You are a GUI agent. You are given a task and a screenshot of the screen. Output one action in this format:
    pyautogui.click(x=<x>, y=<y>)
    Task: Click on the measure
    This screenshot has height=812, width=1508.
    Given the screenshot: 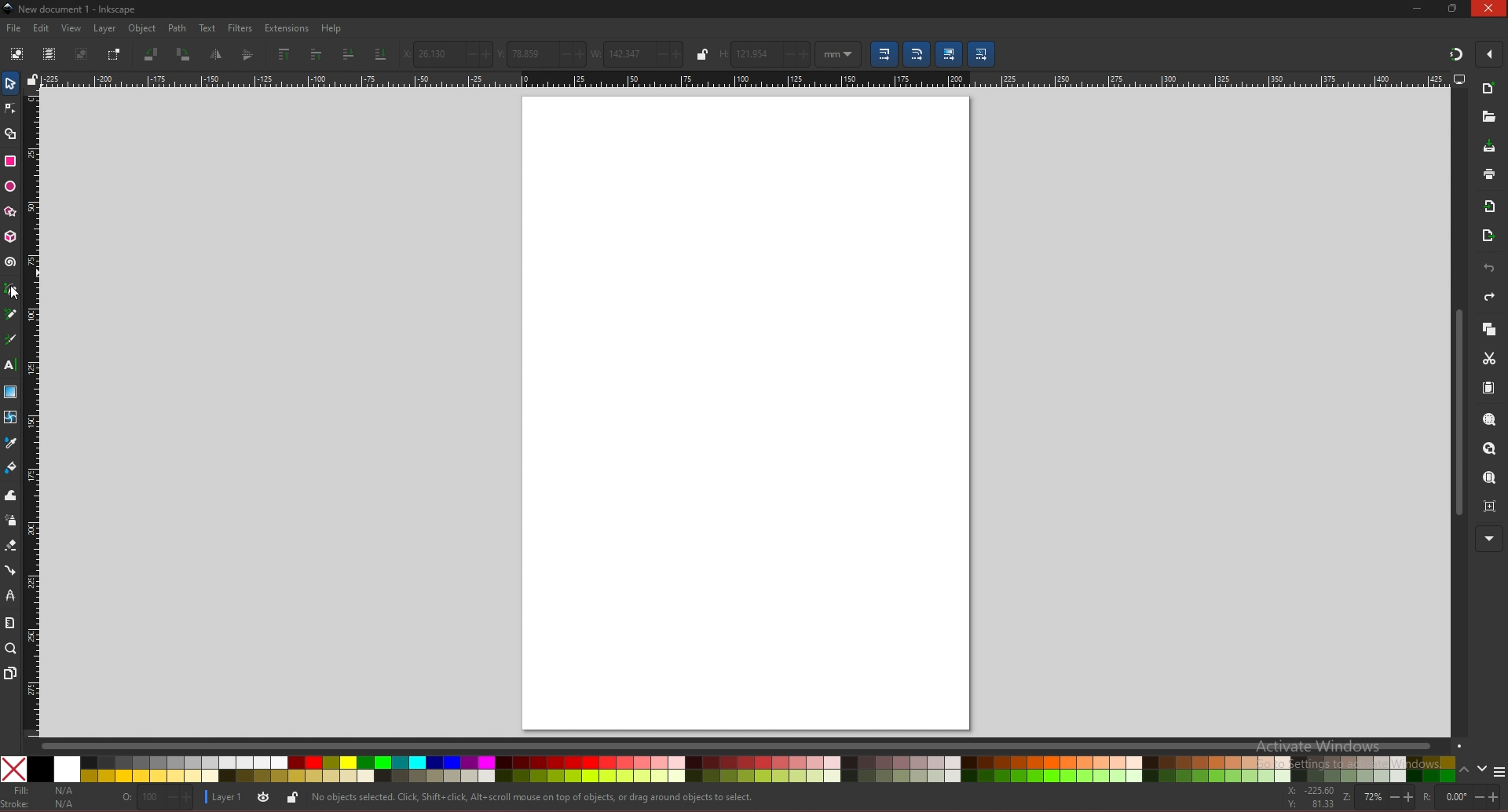 What is the action you would take?
    pyautogui.click(x=9, y=623)
    